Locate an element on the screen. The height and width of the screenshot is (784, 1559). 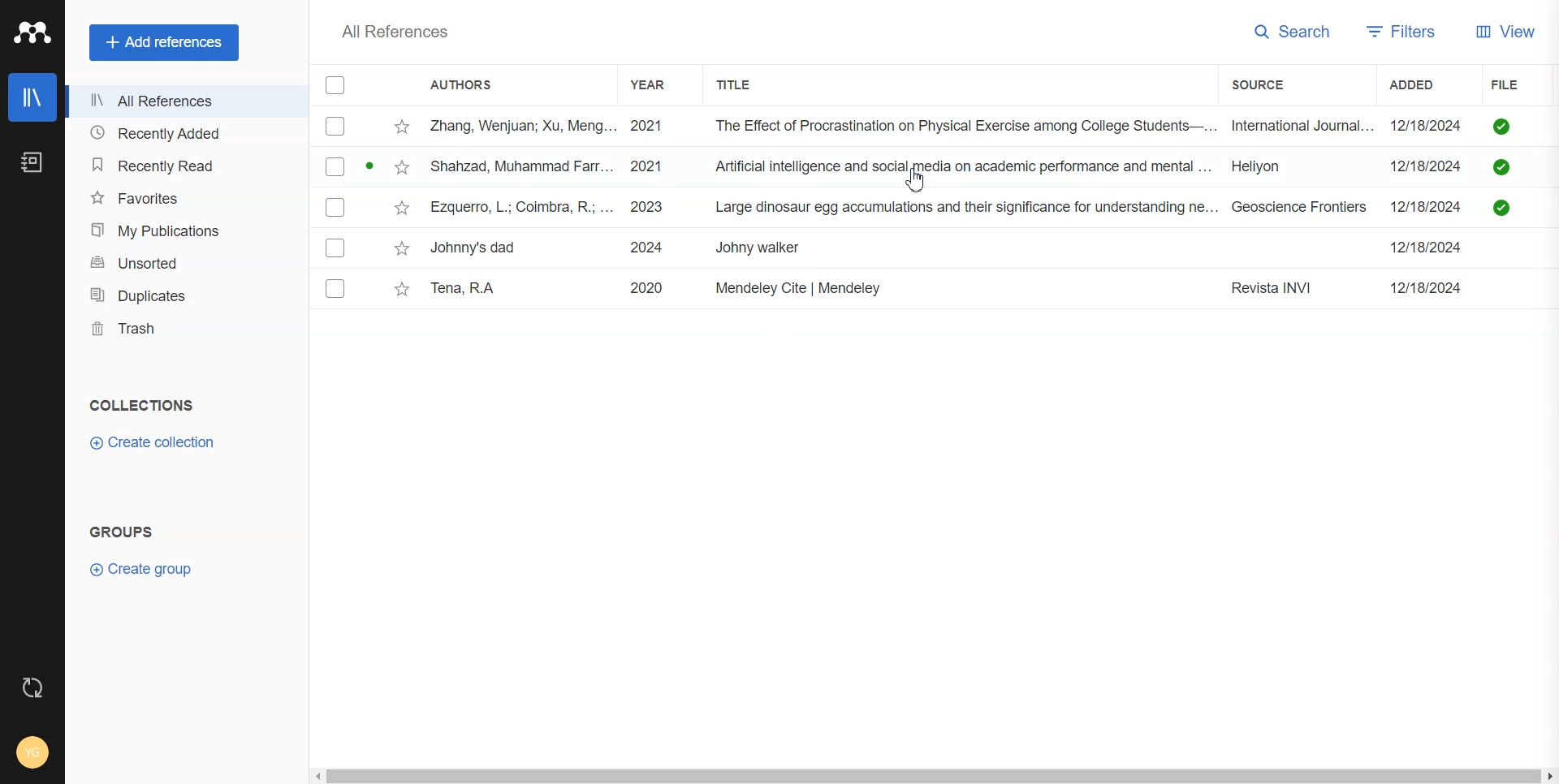
Group is located at coordinates (122, 531).